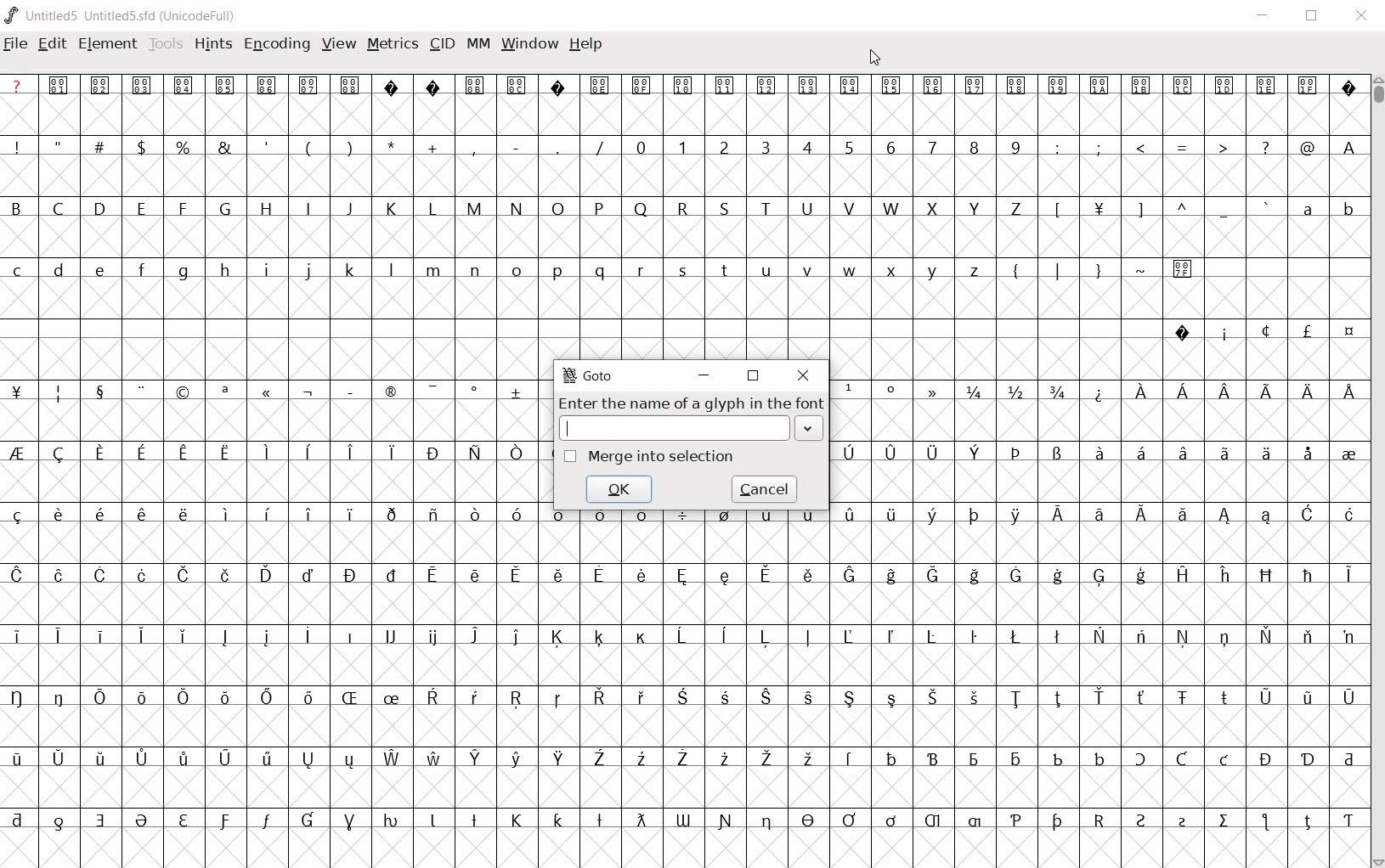 The image size is (1385, 868). What do you see at coordinates (556, 85) in the screenshot?
I see `Symbol` at bounding box center [556, 85].